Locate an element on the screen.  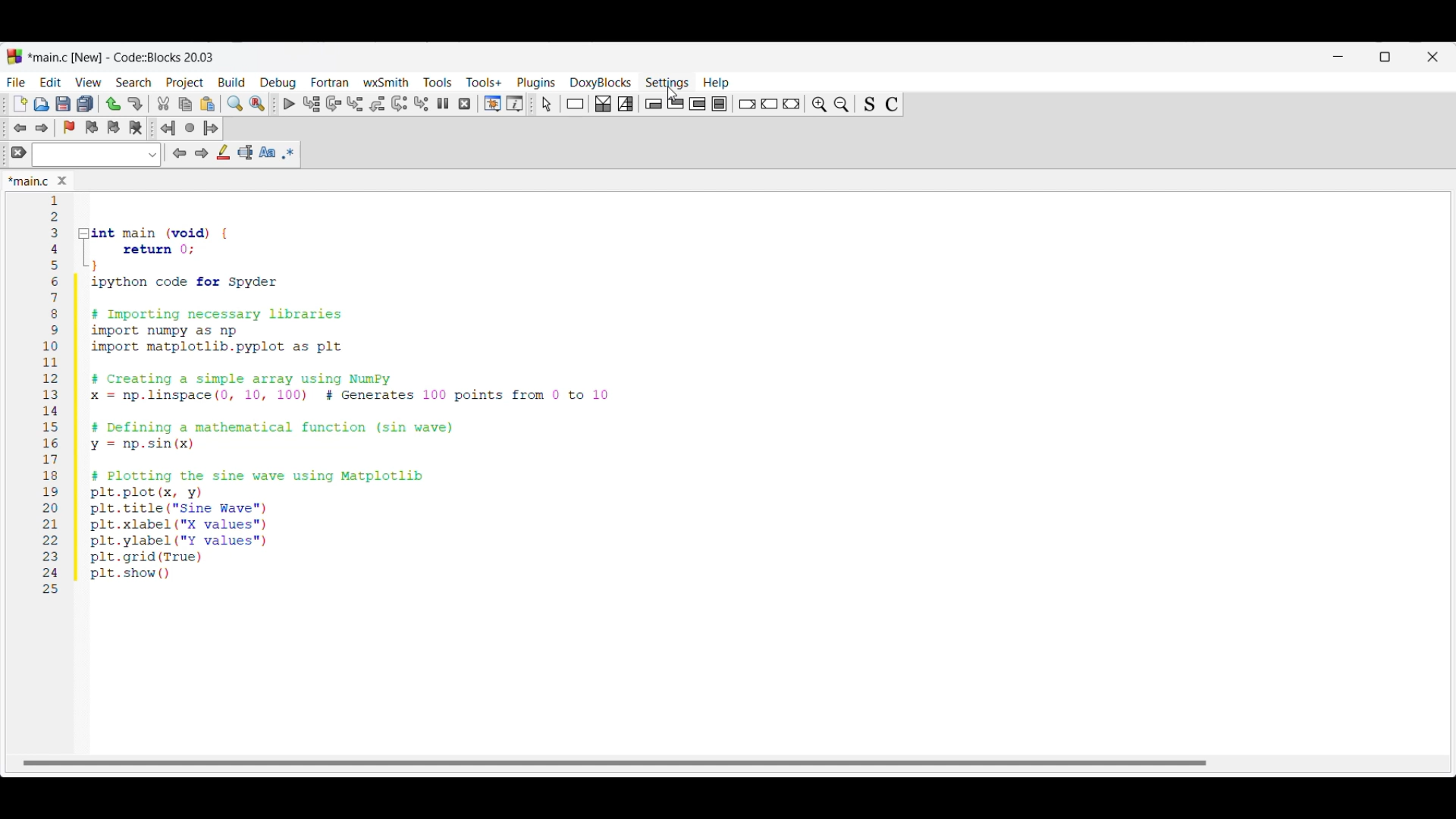
Decision is located at coordinates (603, 104).